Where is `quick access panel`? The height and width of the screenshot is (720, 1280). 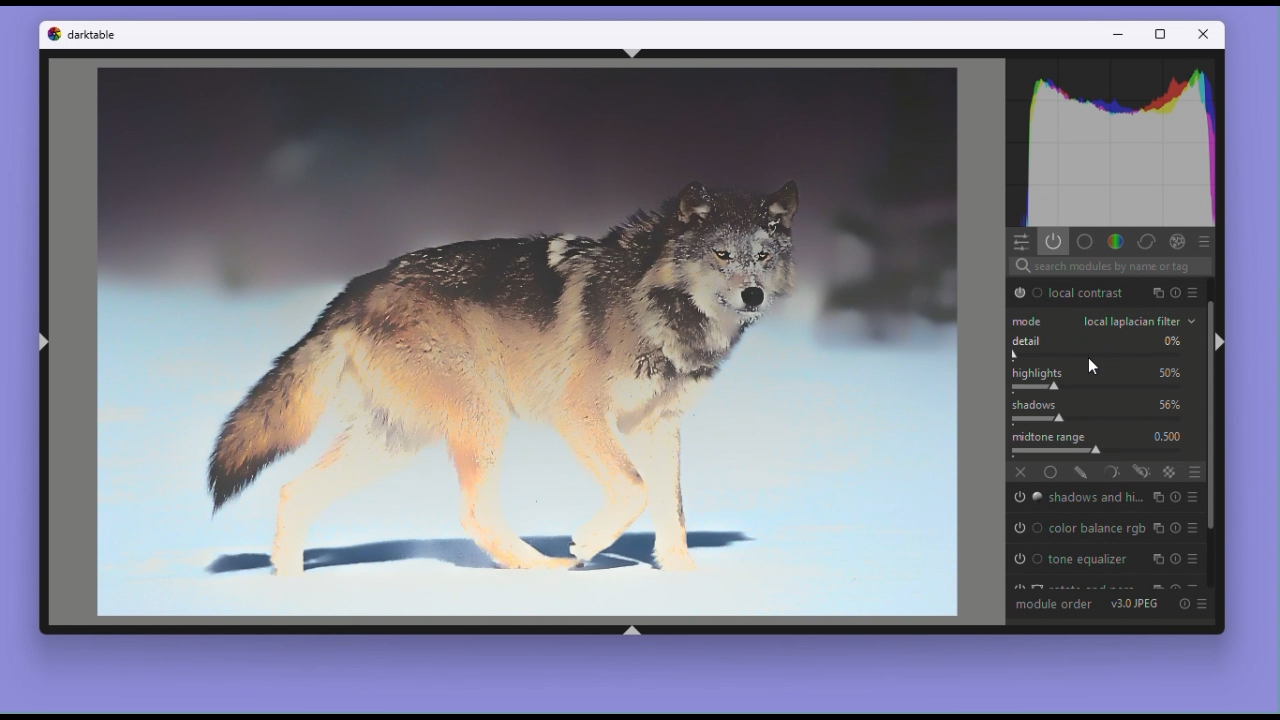 quick access panel is located at coordinates (1024, 242).